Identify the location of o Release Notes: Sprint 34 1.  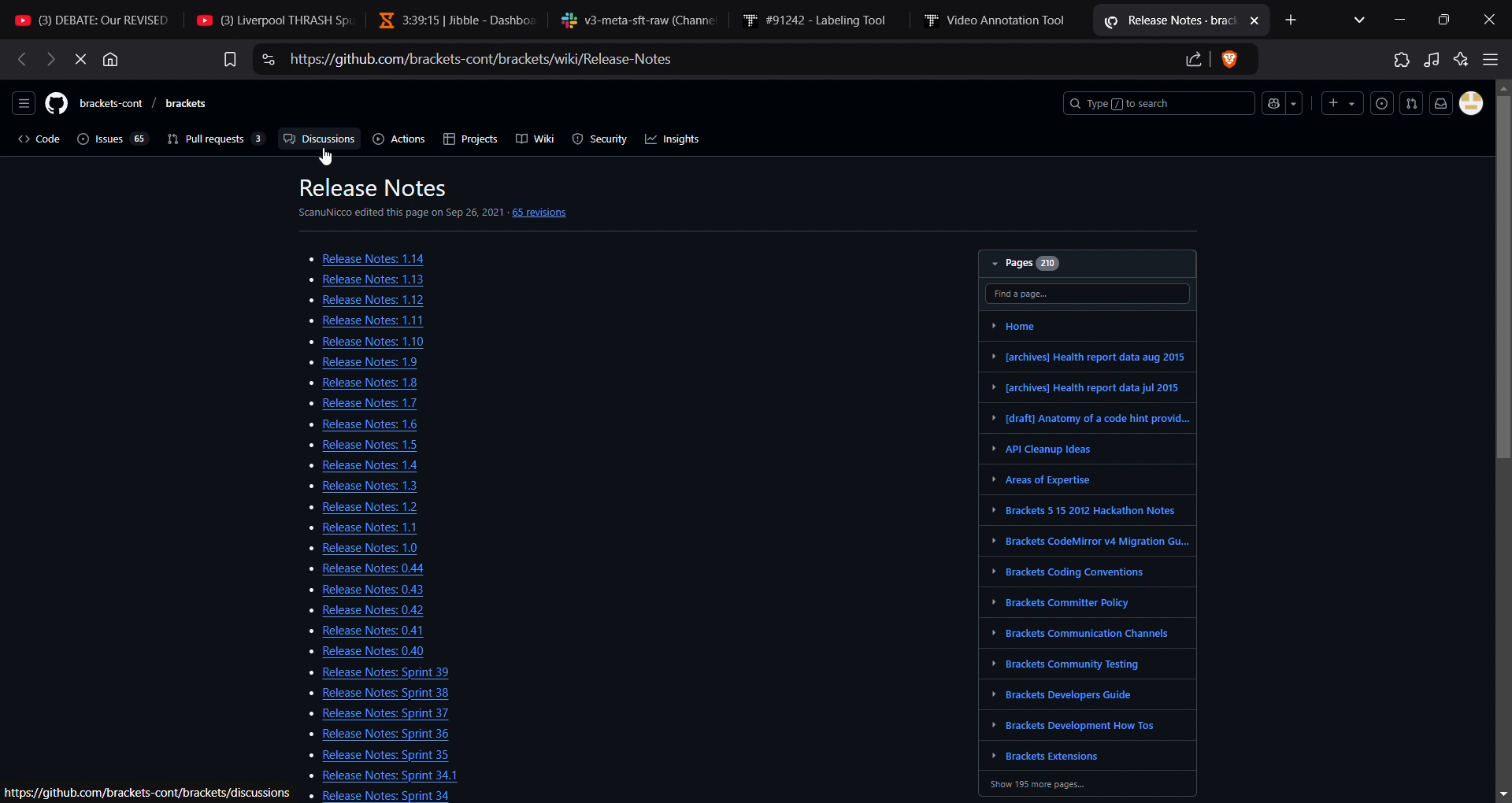
(375, 773).